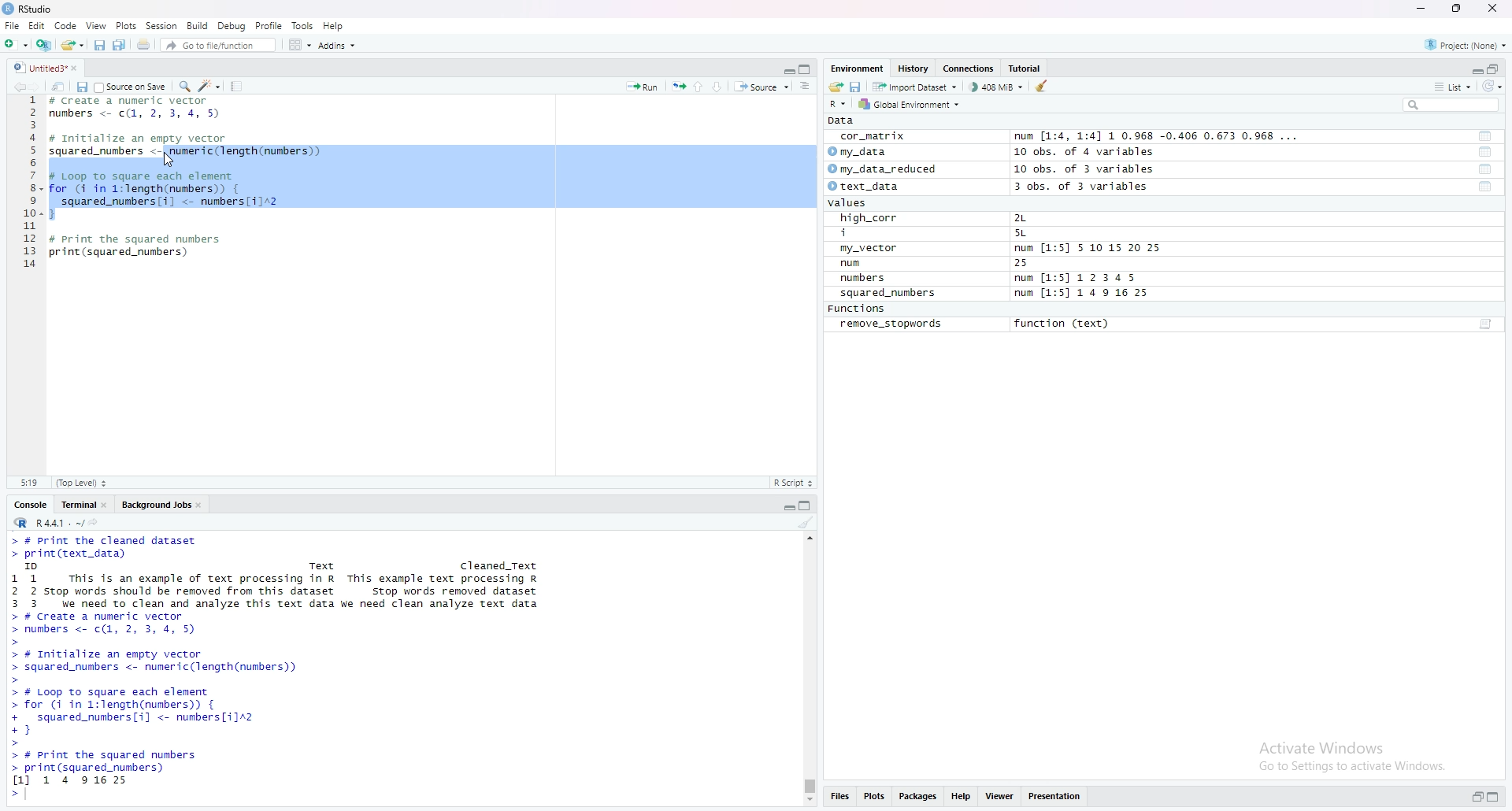 The image size is (1512, 811). What do you see at coordinates (96, 25) in the screenshot?
I see `View` at bounding box center [96, 25].